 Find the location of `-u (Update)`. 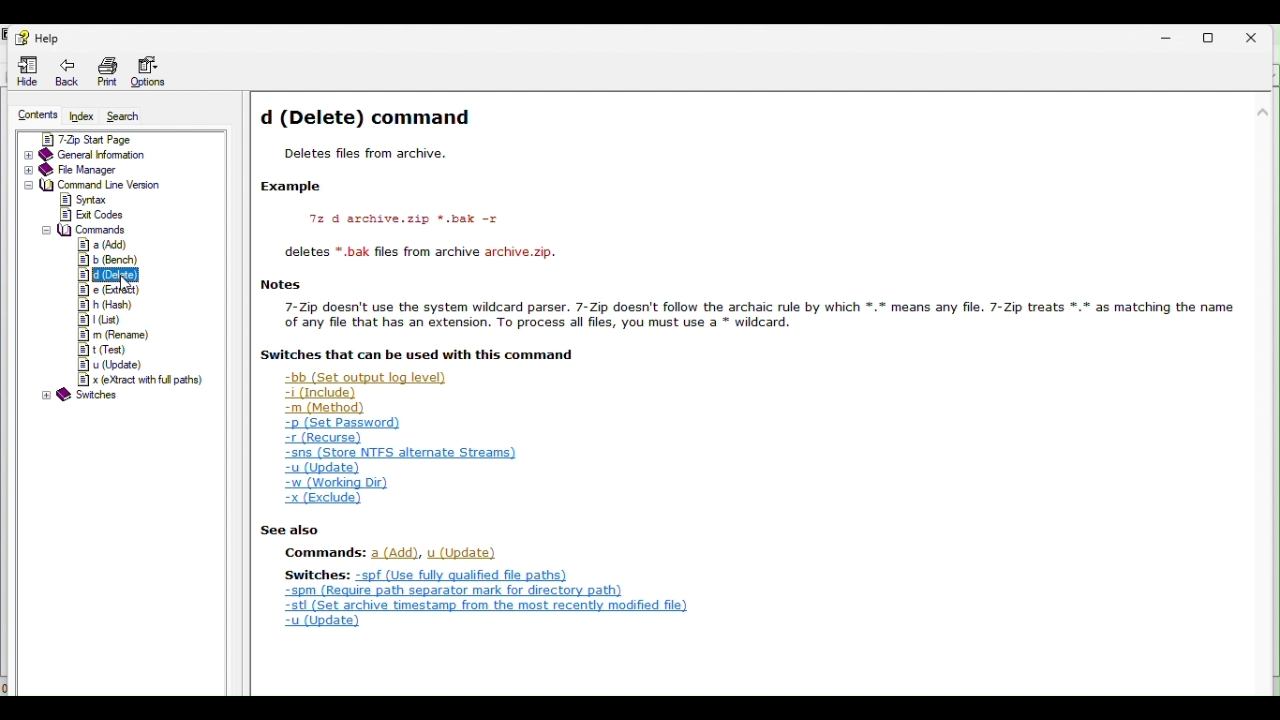

-u (Update) is located at coordinates (318, 466).